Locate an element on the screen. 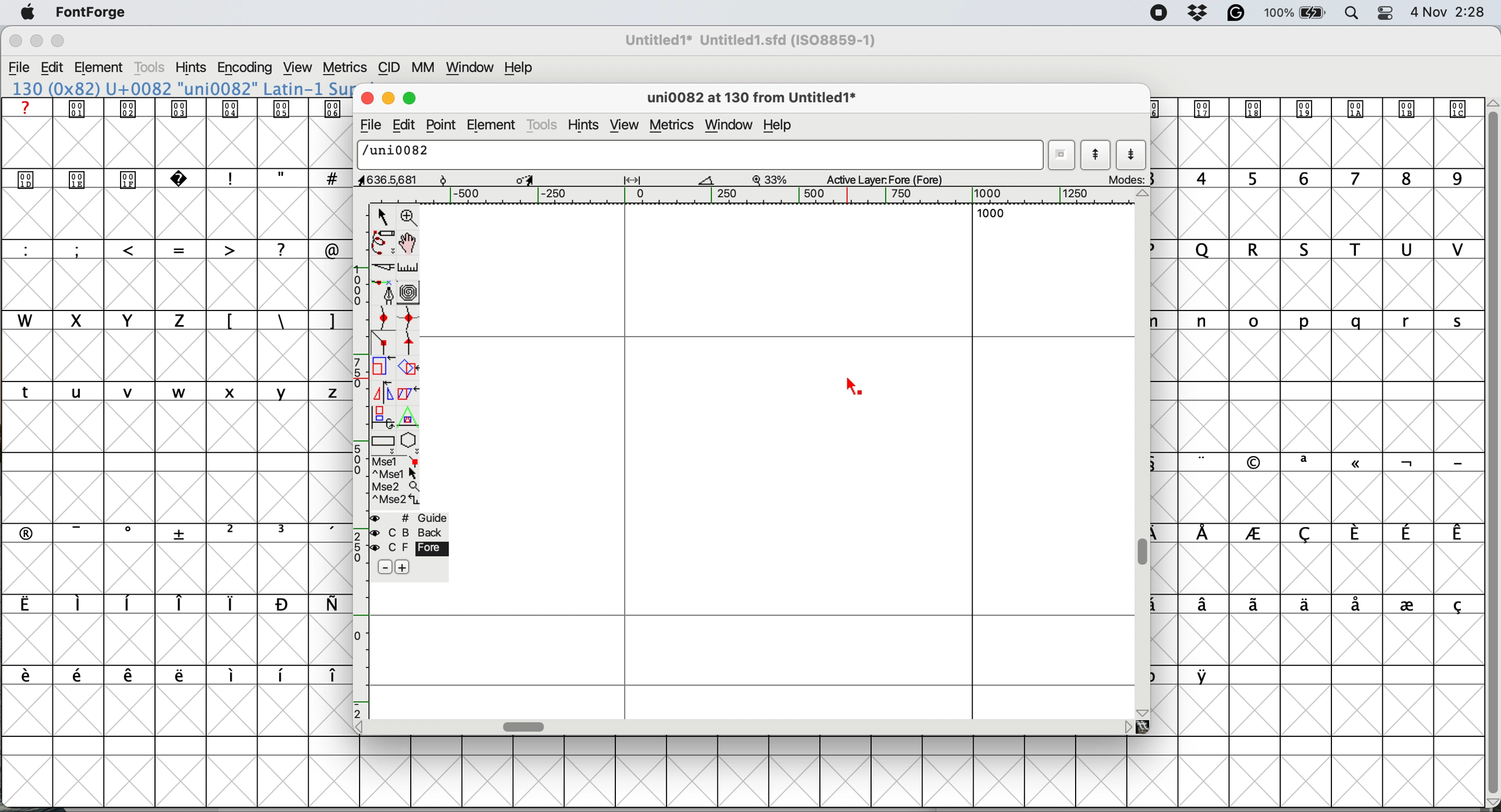 The image size is (1501, 812). metrics is located at coordinates (675, 126).